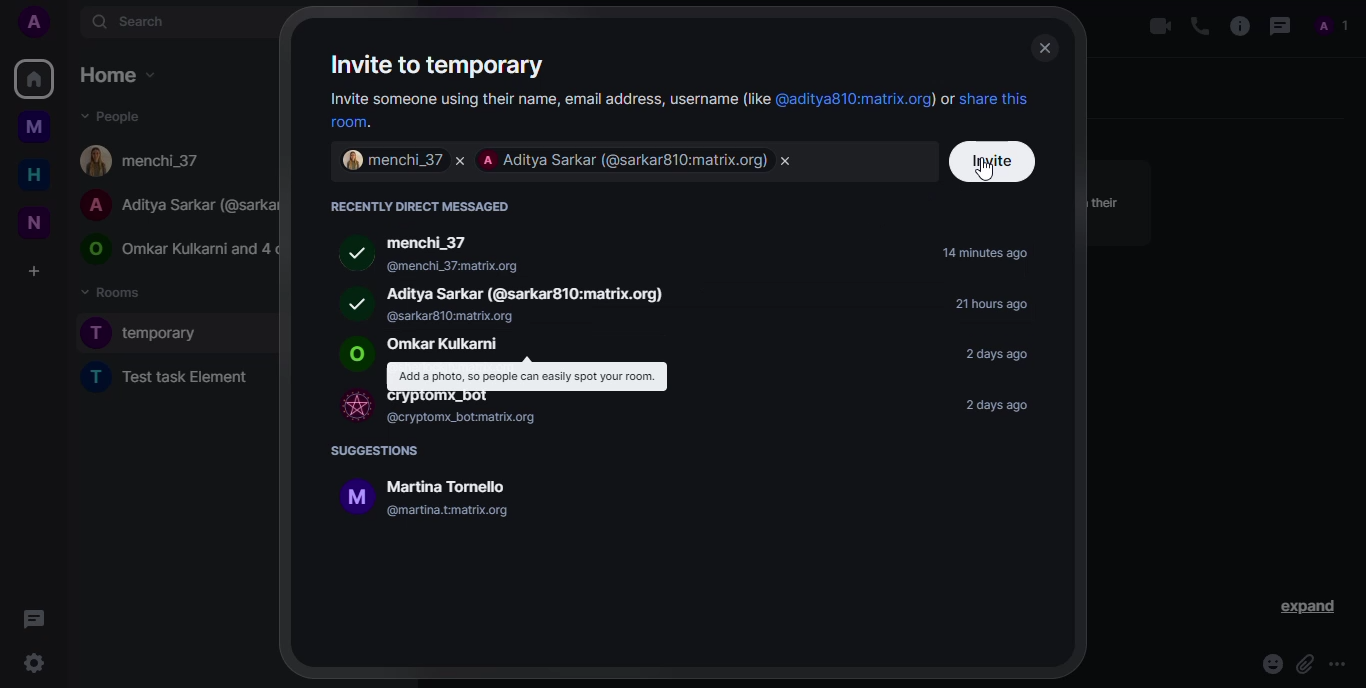 Image resolution: width=1366 pixels, height=688 pixels. Describe the element at coordinates (444, 345) in the screenshot. I see `‘Omkar Kulkarni` at that location.